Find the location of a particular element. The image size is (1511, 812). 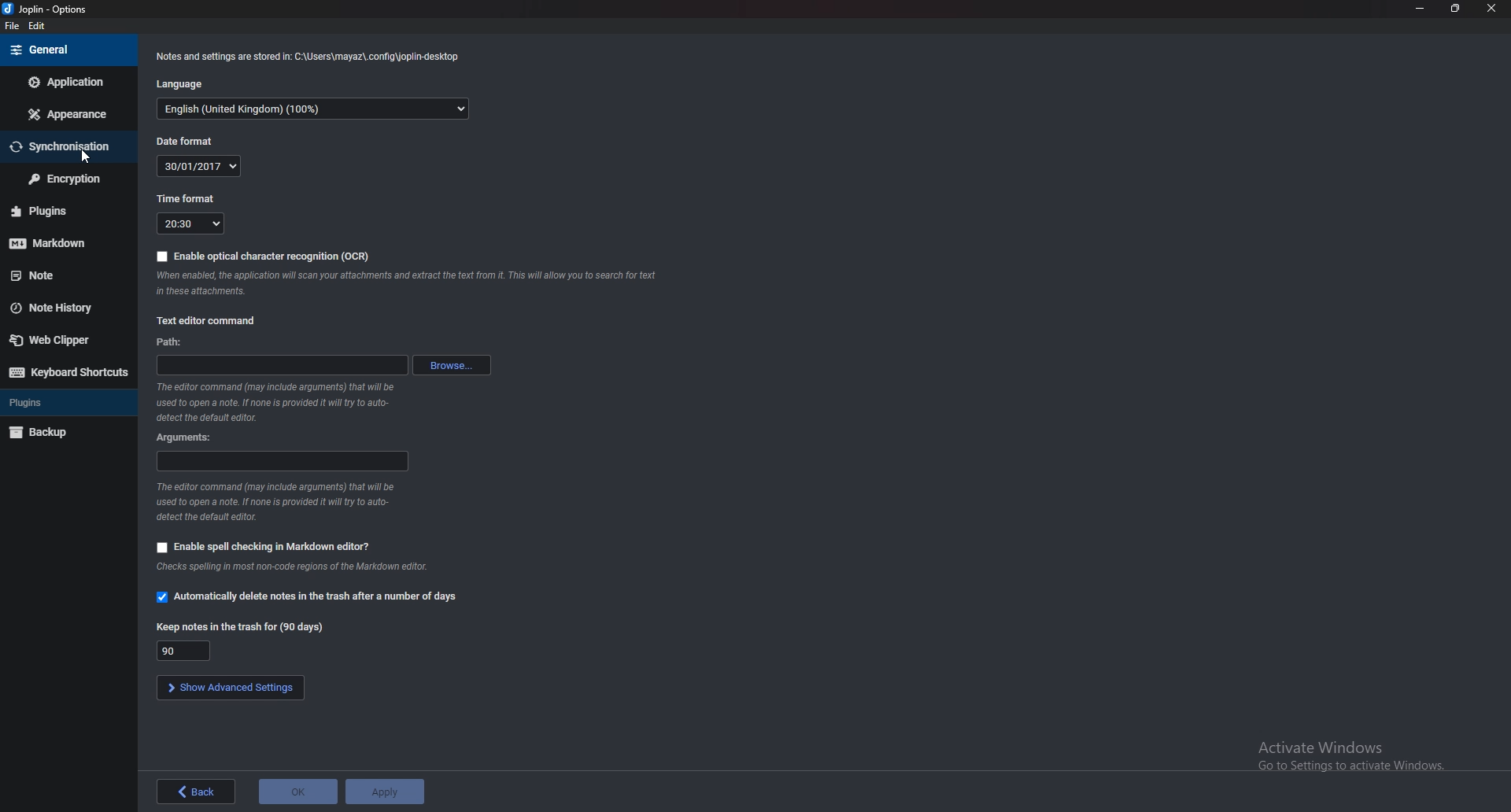

file is located at coordinates (9, 24).